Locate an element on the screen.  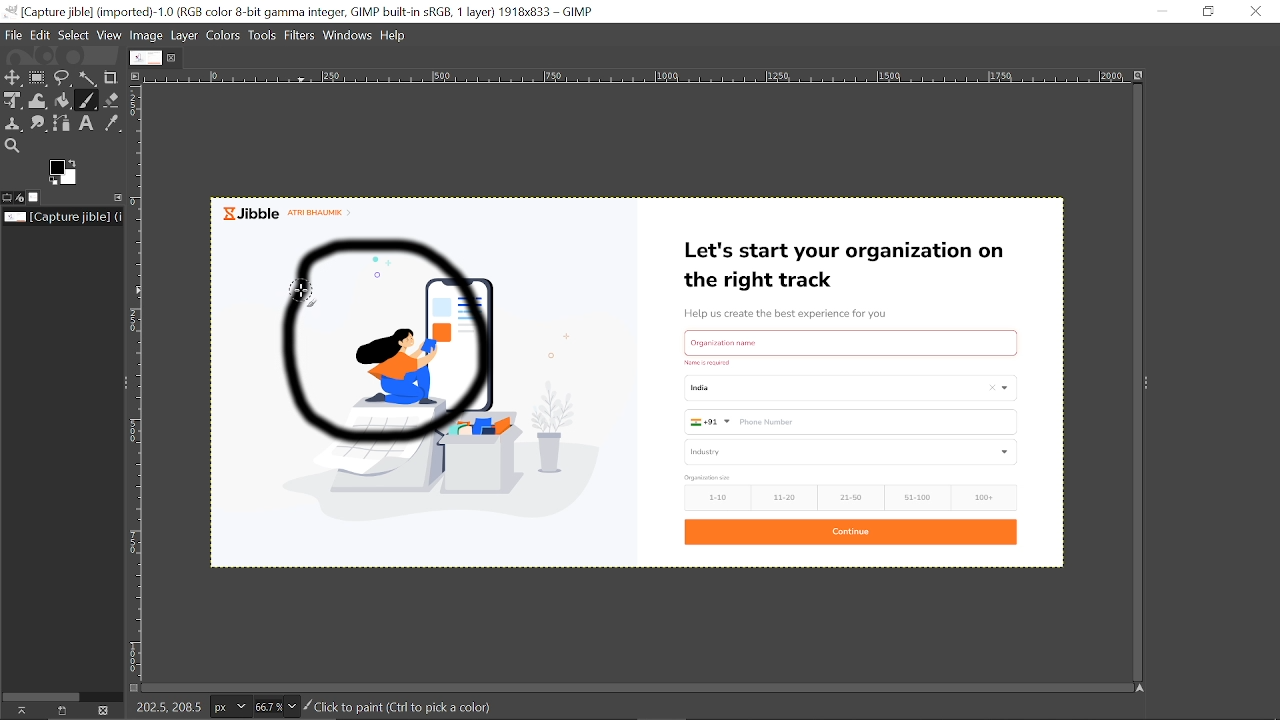
Select is located at coordinates (74, 36).